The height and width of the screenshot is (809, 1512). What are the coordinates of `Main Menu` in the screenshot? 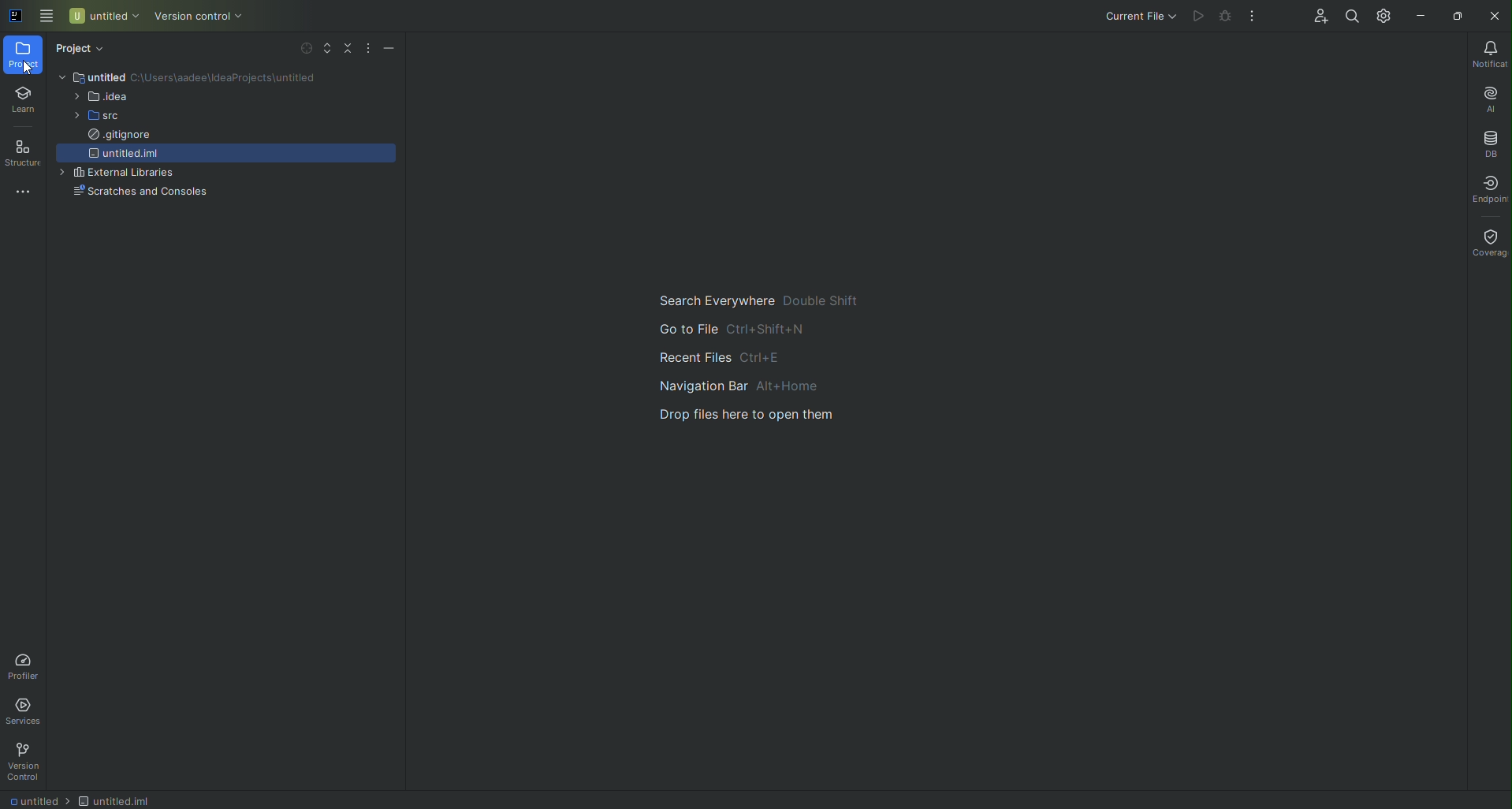 It's located at (43, 17).